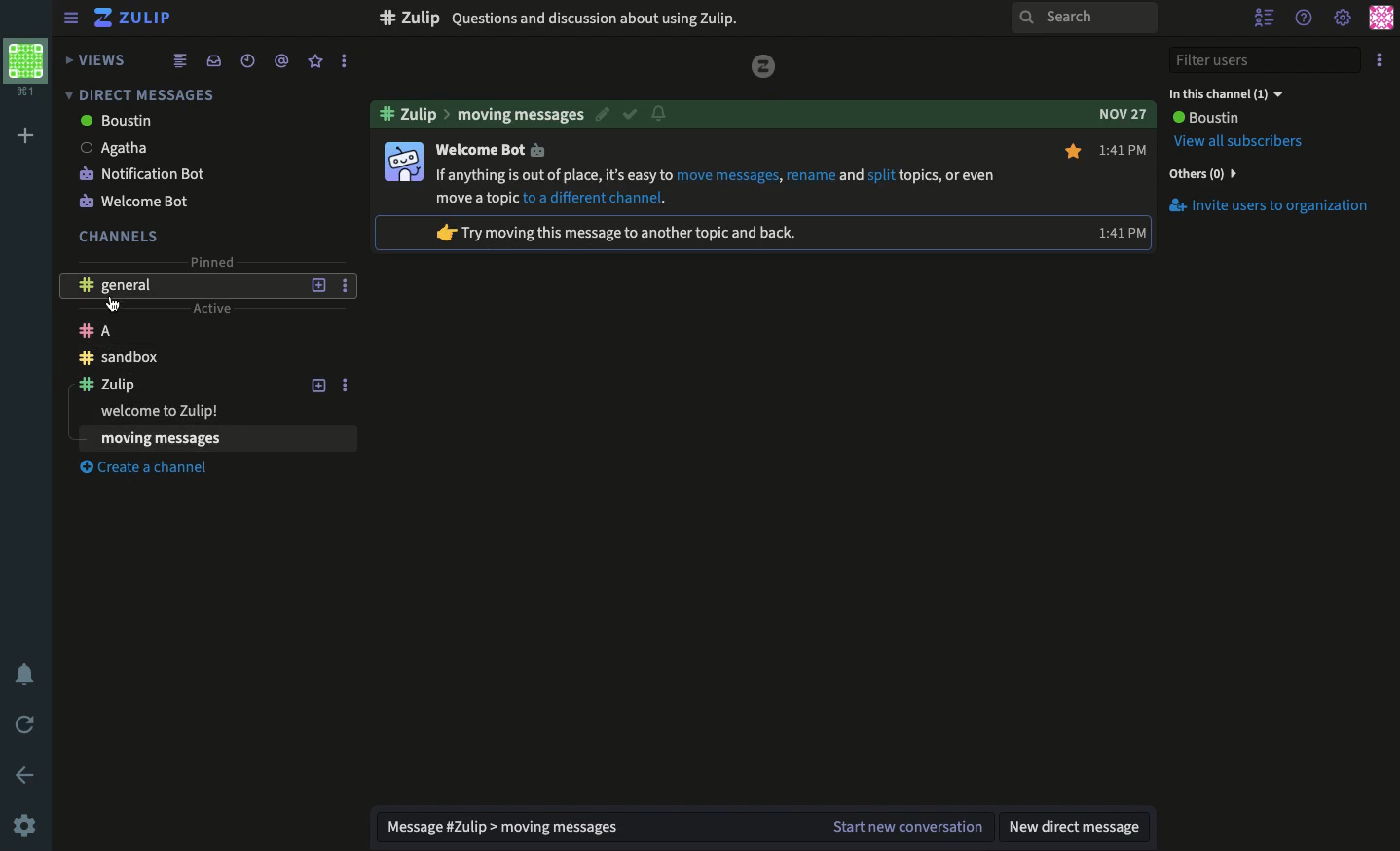  What do you see at coordinates (478, 198) in the screenshot?
I see `text` at bounding box center [478, 198].